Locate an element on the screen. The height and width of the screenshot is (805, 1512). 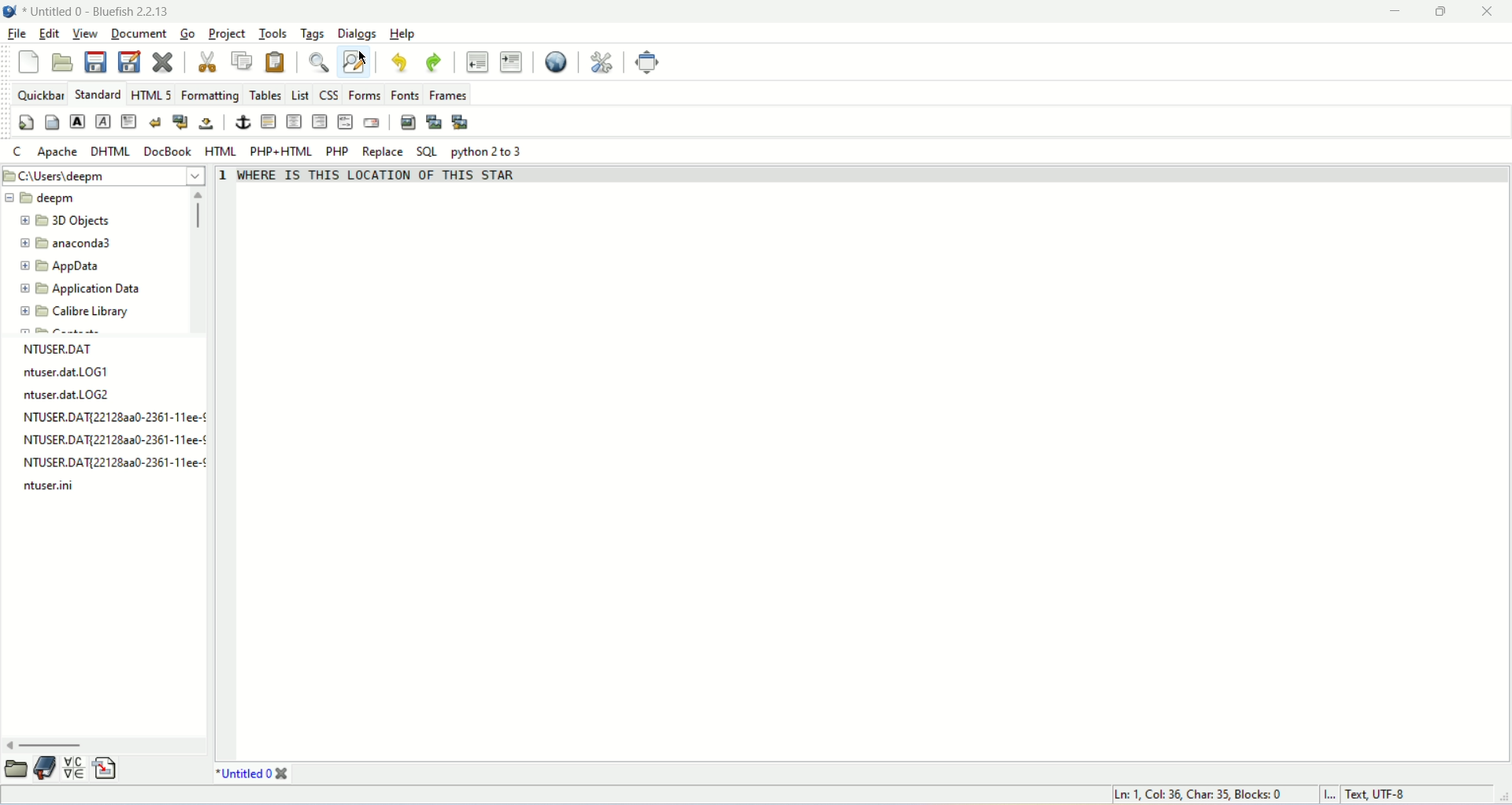
insert thumbnail is located at coordinates (435, 124).